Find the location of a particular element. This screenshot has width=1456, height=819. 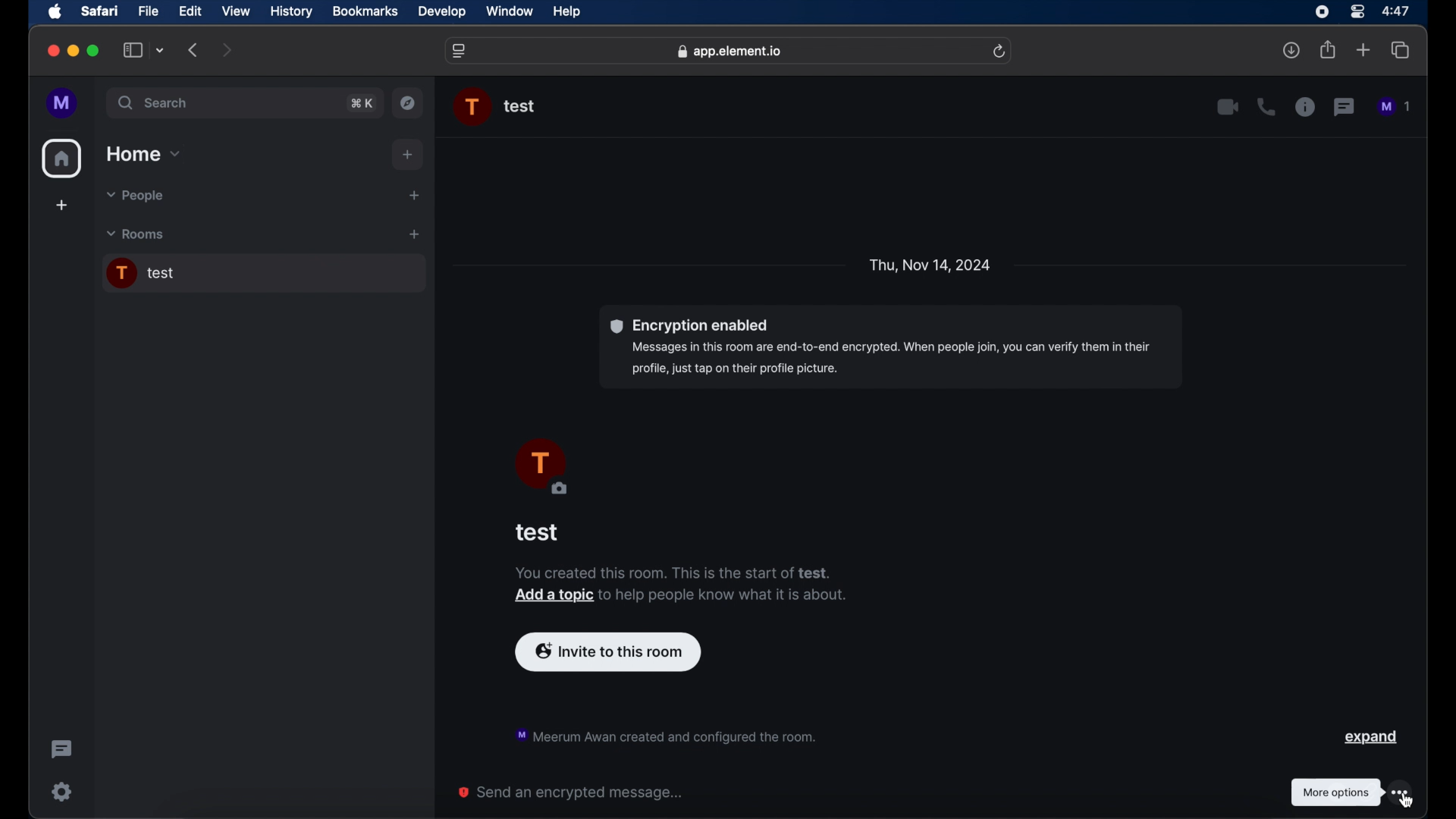

people dropdown is located at coordinates (133, 196).